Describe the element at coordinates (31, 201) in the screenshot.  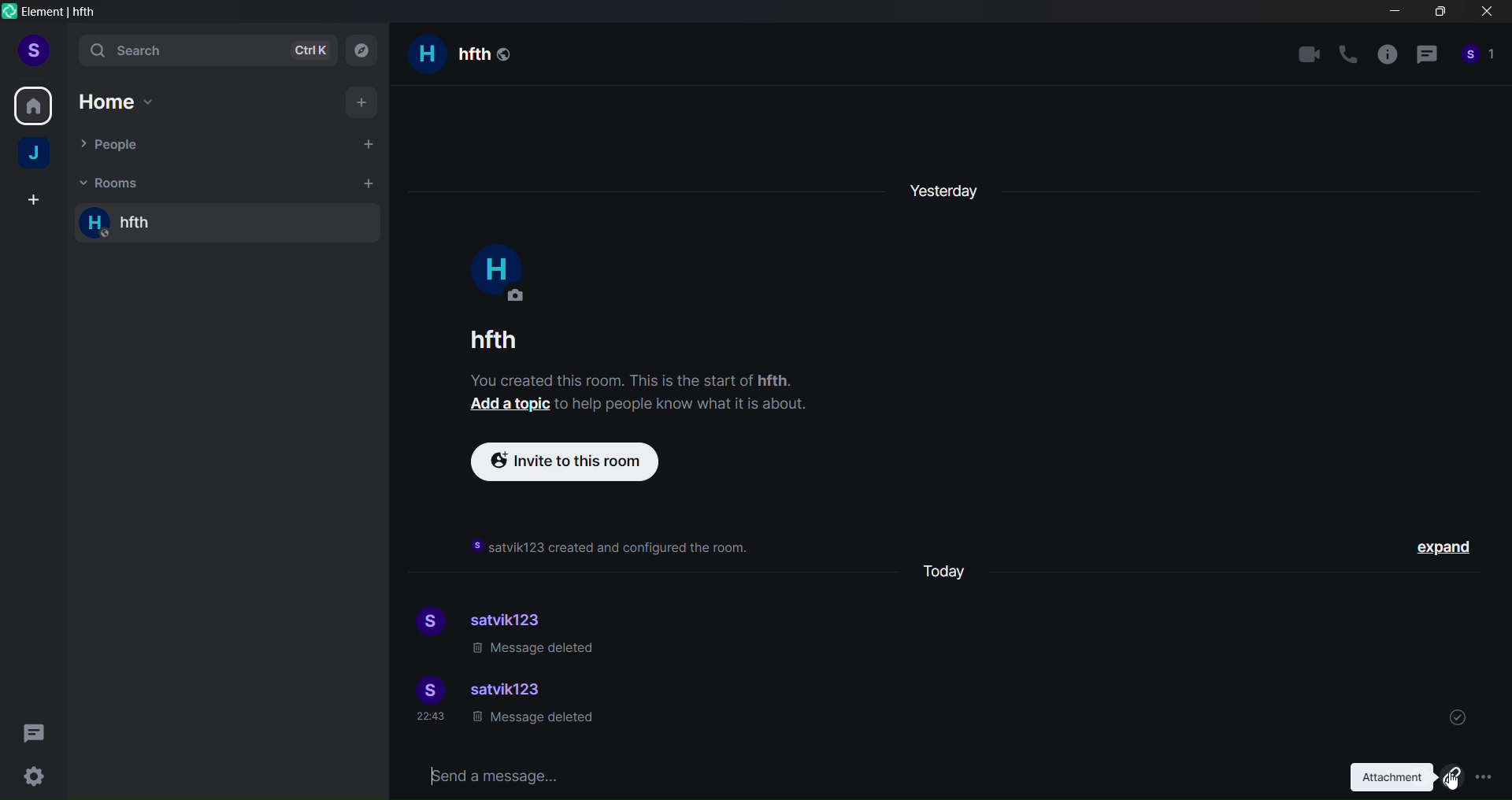
I see `create space` at that location.